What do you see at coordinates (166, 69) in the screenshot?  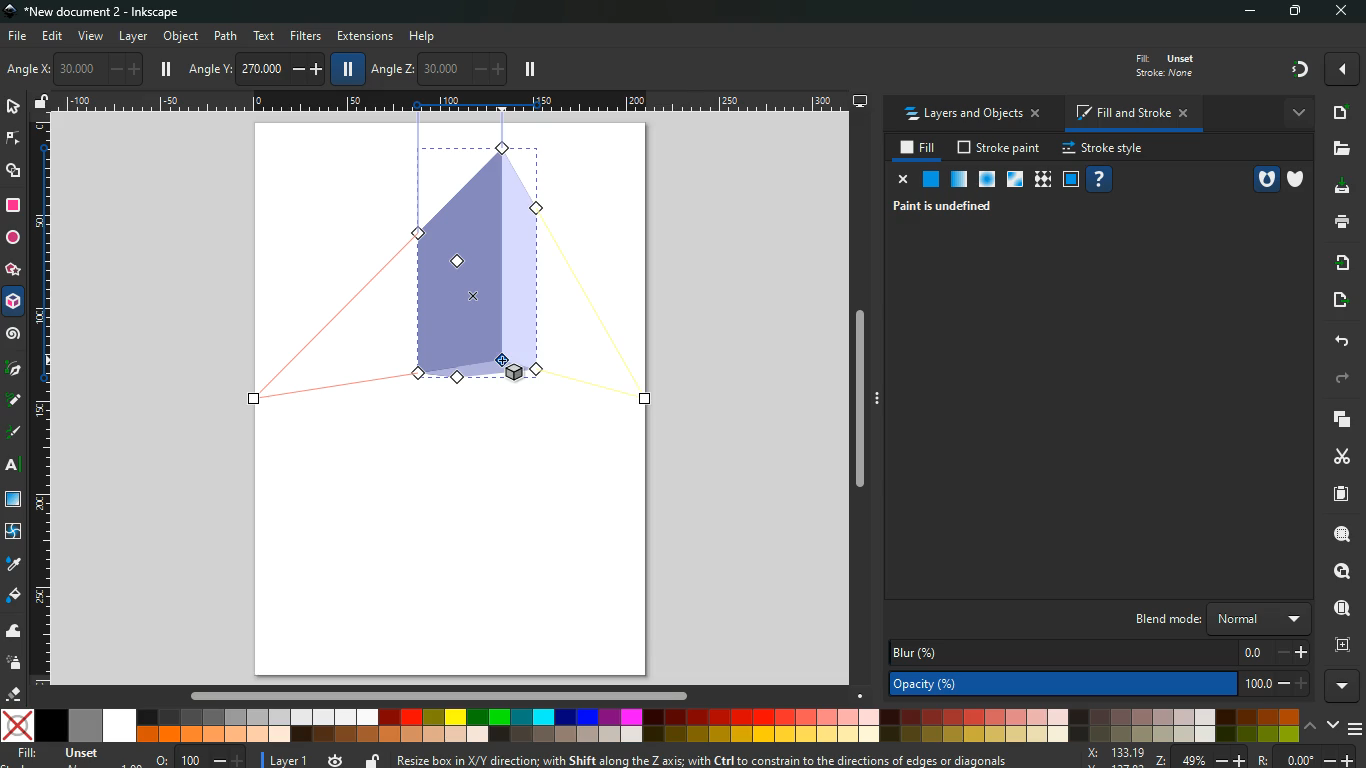 I see `pause` at bounding box center [166, 69].